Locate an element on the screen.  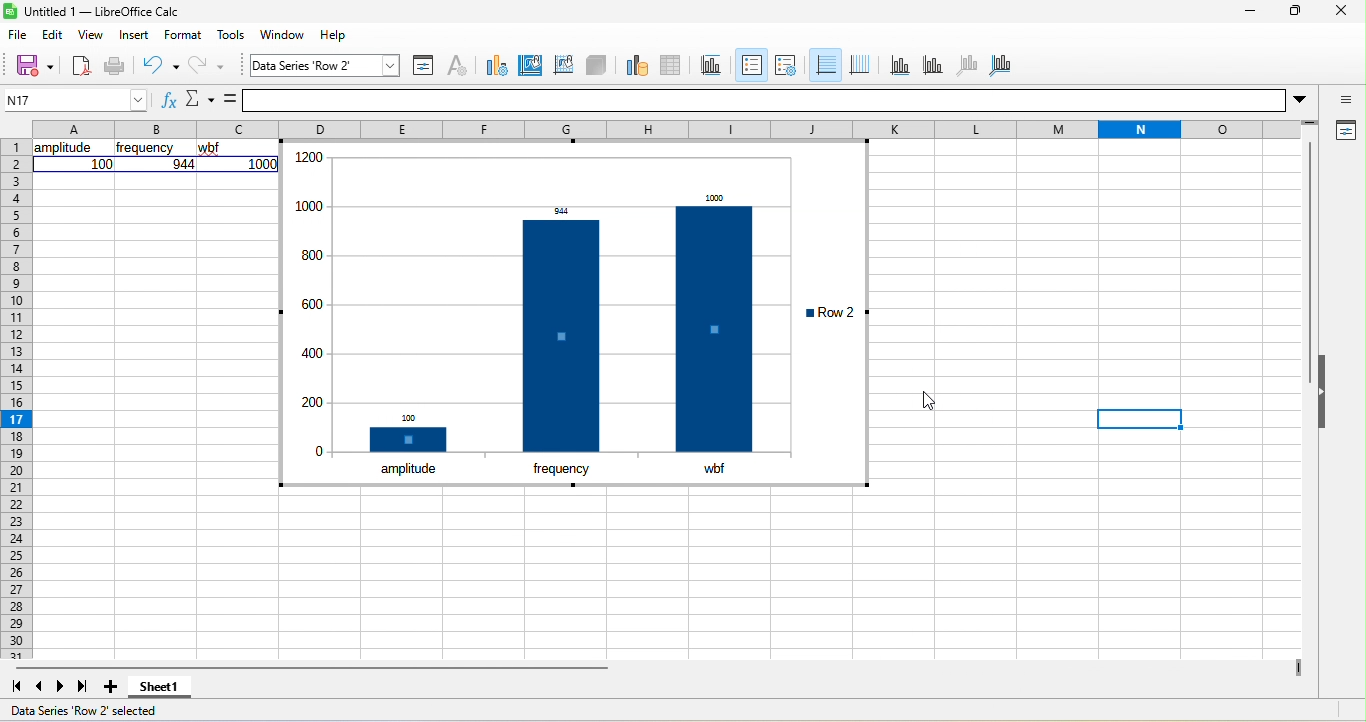
1000 is located at coordinates (263, 164).